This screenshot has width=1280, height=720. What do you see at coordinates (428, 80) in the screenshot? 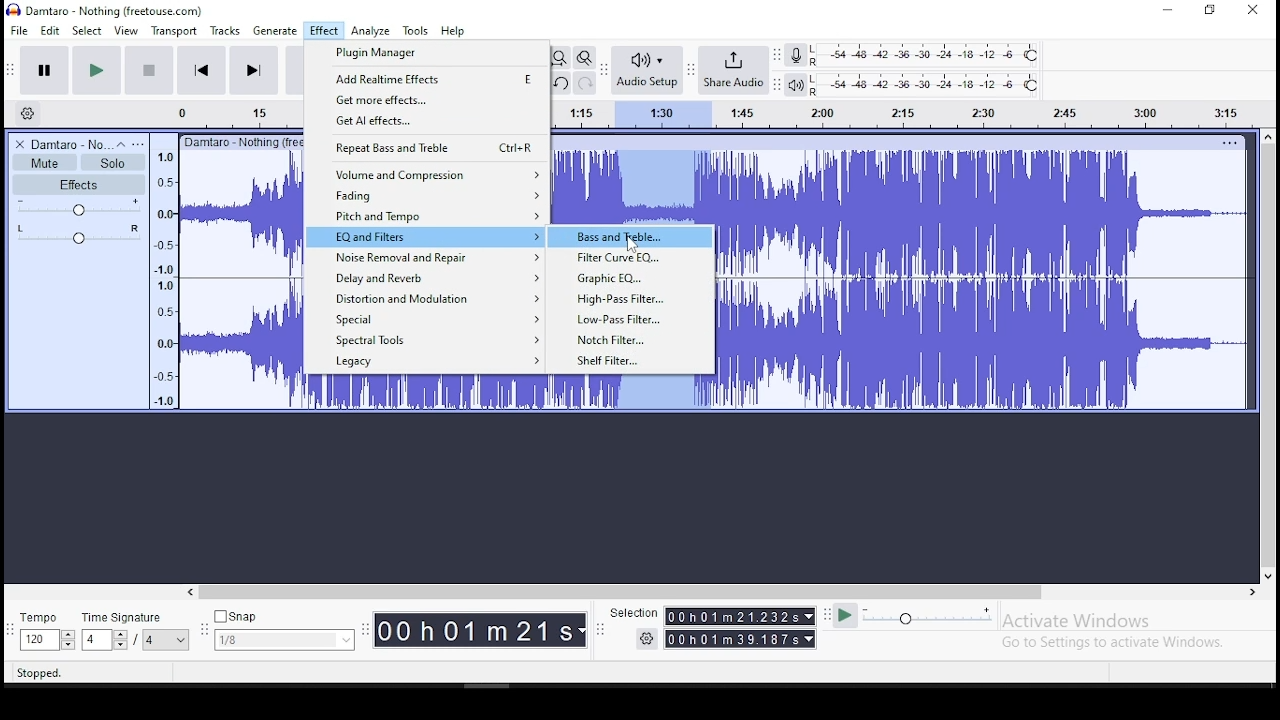
I see `add real time effects` at bounding box center [428, 80].